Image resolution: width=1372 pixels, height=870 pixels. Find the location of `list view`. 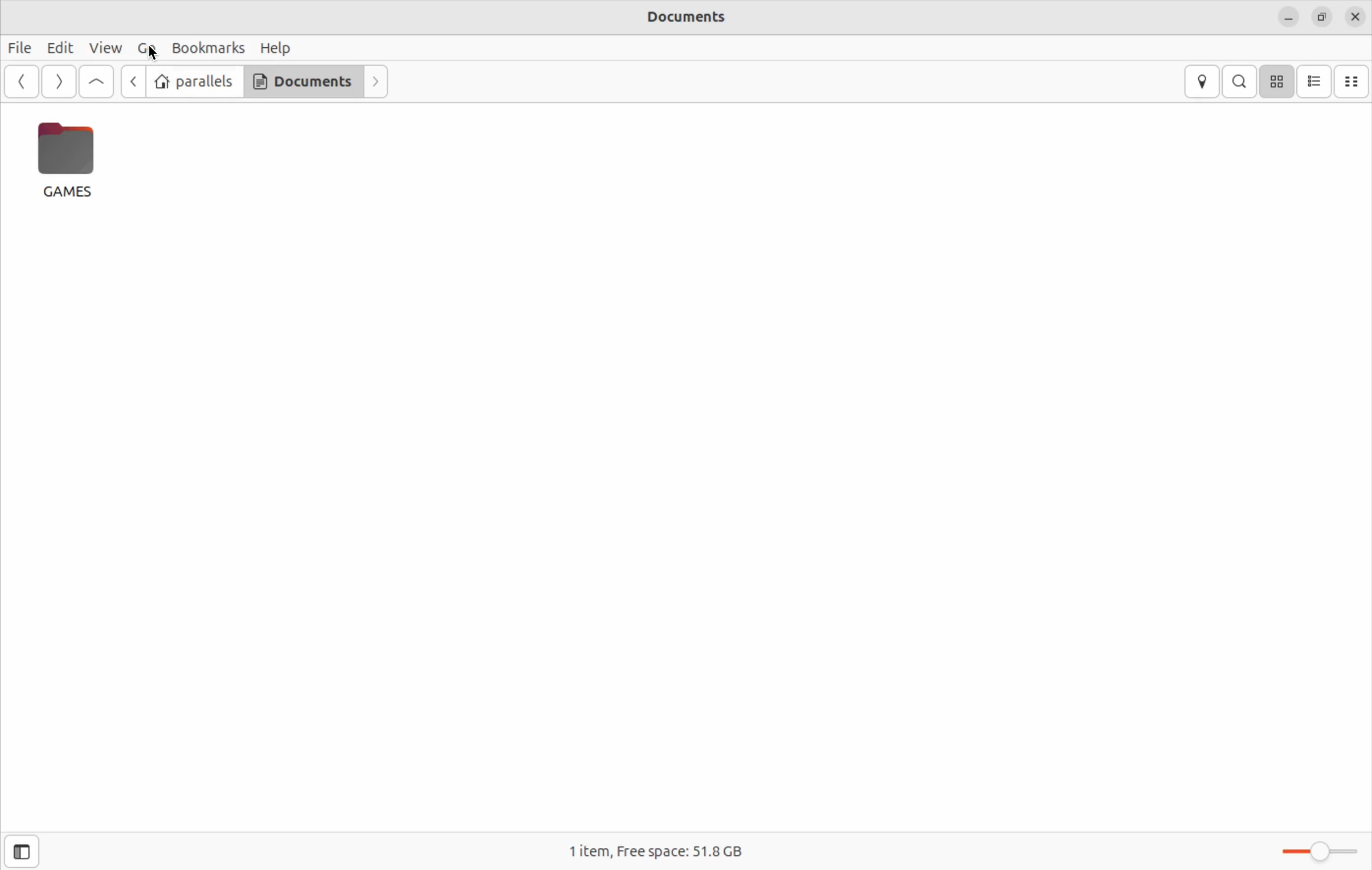

list view is located at coordinates (1316, 80).